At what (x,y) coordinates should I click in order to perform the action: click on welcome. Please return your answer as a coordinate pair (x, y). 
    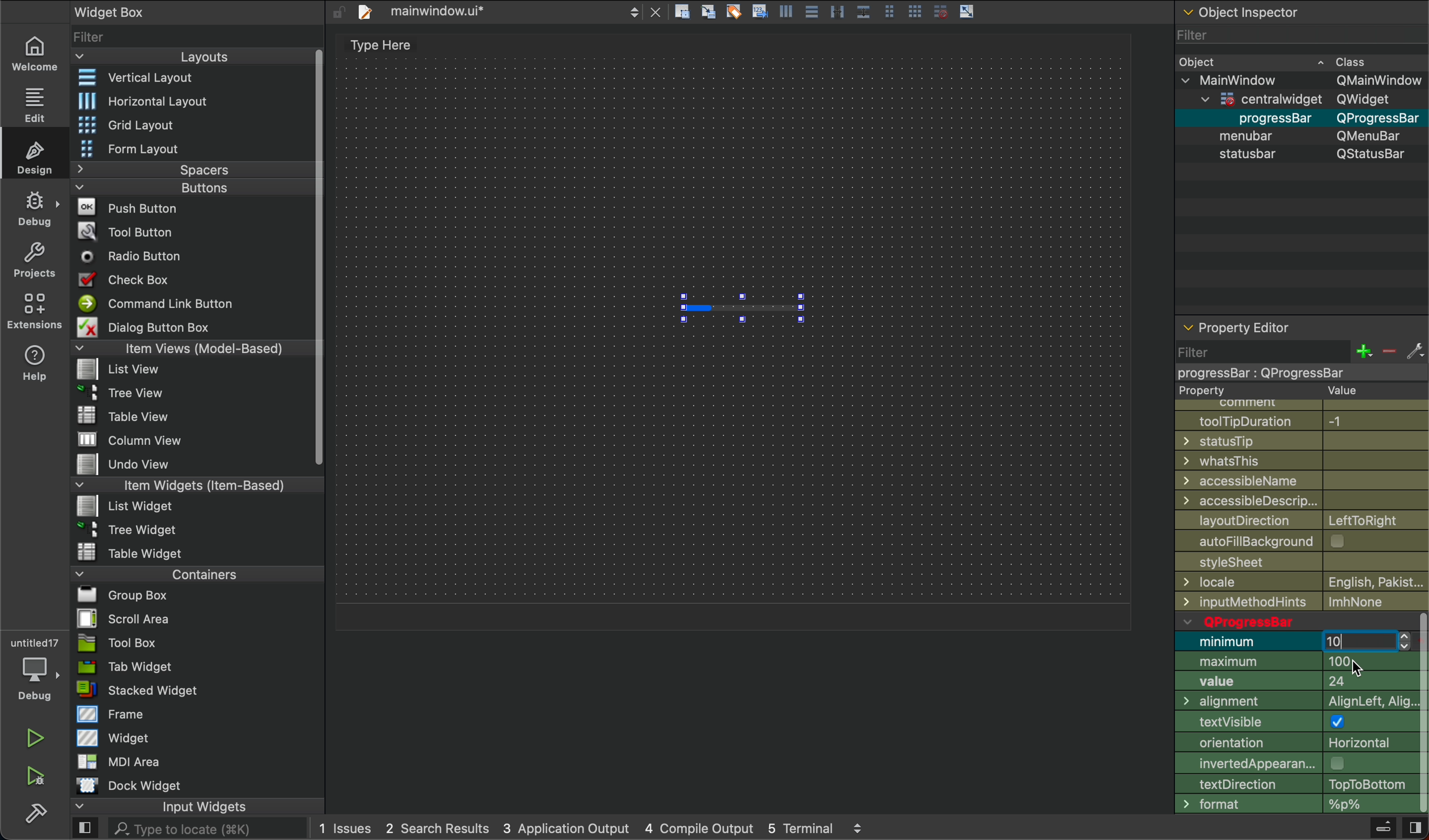
    Looking at the image, I should click on (33, 52).